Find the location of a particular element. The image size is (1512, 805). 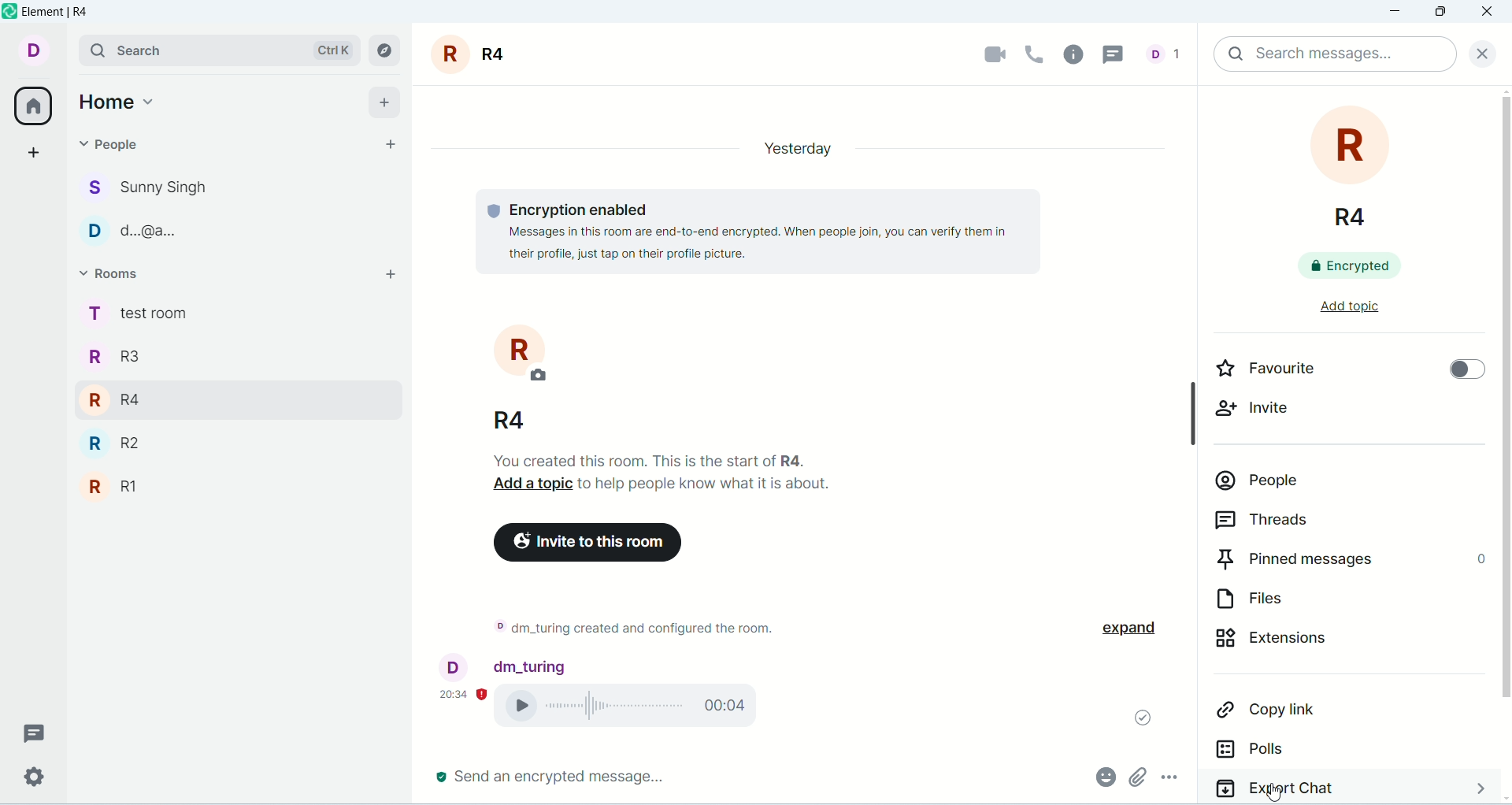

extensions is located at coordinates (1327, 643).